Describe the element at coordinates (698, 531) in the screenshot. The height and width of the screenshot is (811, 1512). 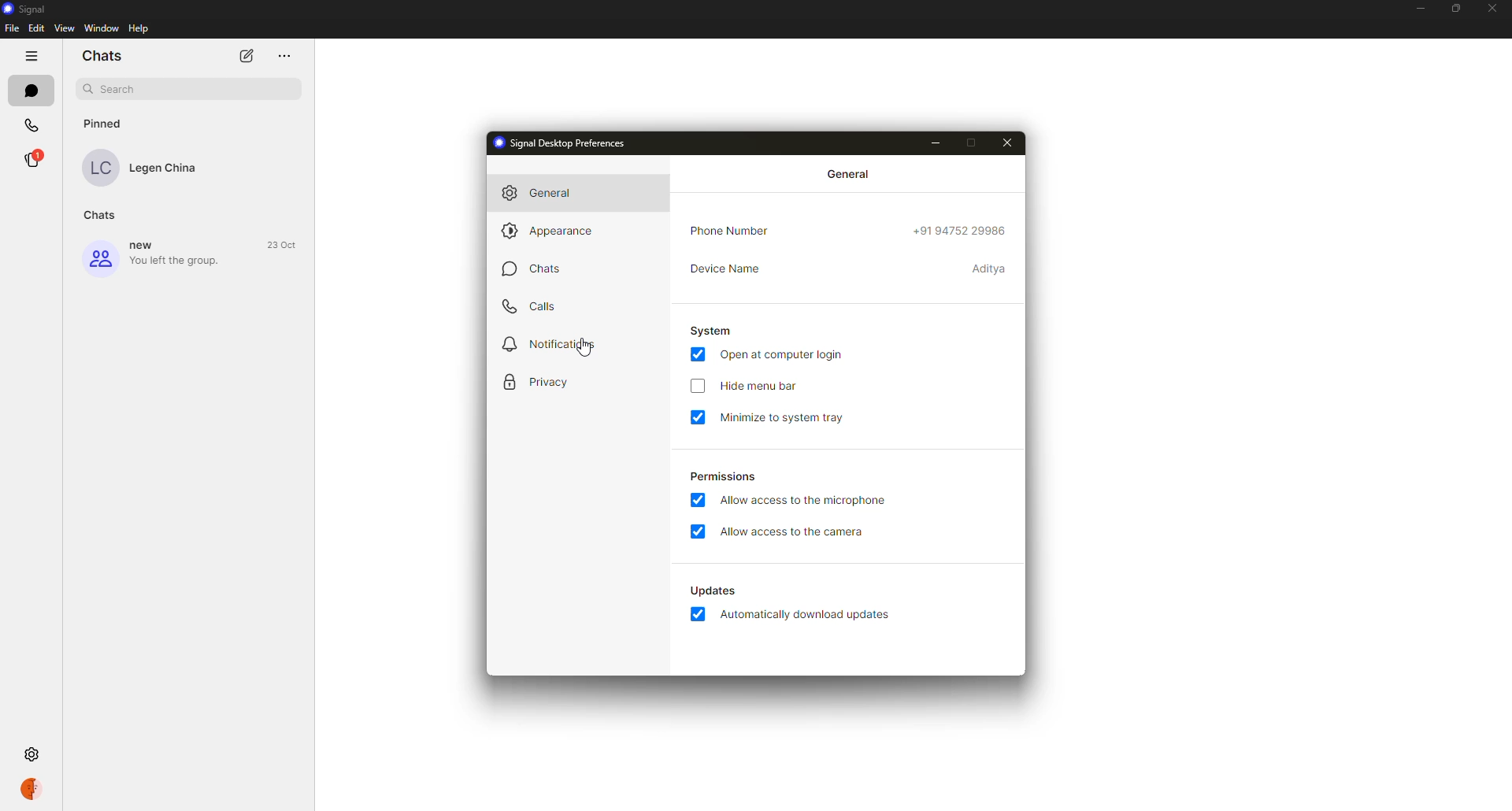
I see `selected` at that location.